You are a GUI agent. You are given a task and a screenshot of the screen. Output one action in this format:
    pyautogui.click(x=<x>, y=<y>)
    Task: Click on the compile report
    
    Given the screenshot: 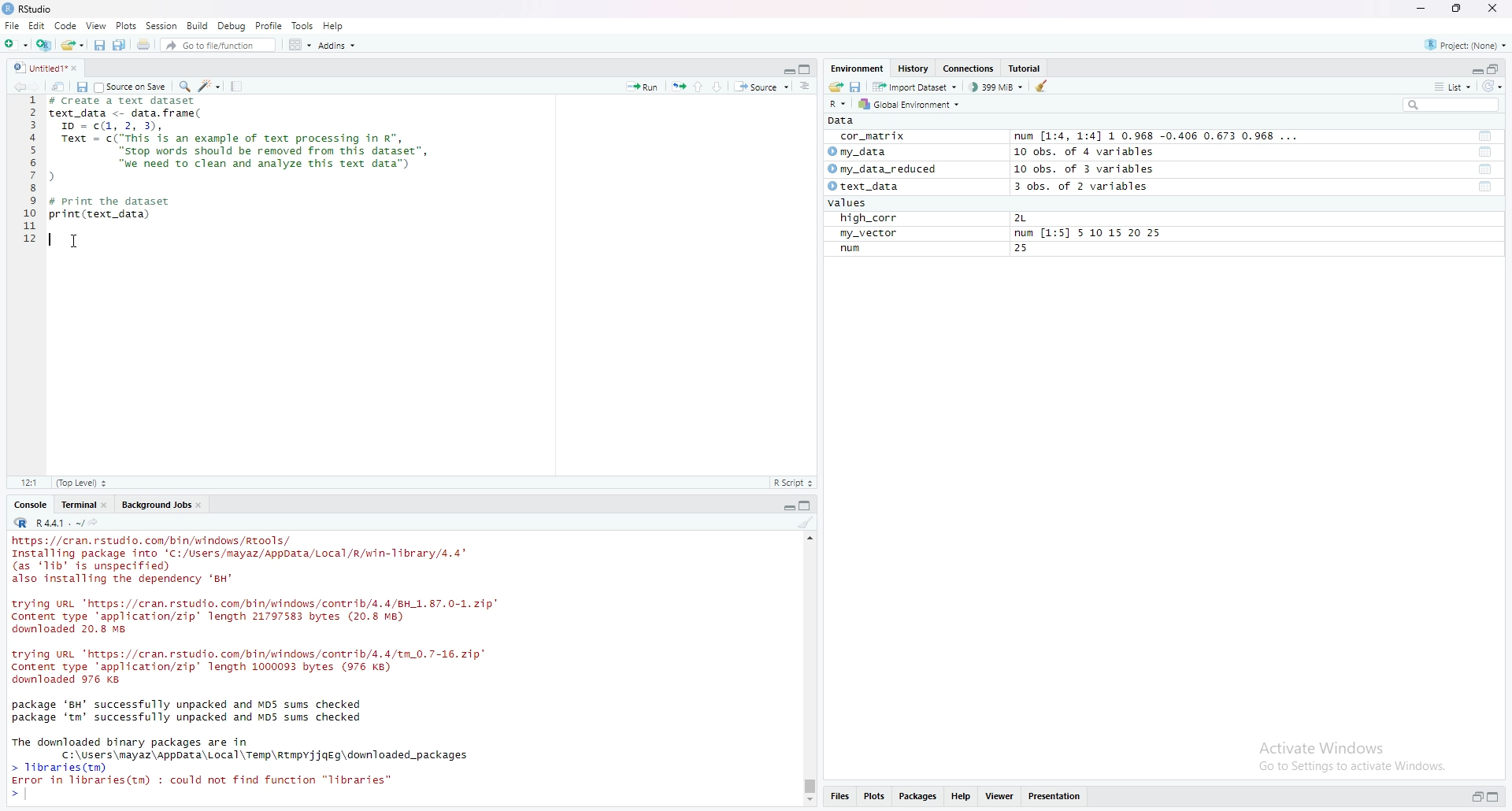 What is the action you would take?
    pyautogui.click(x=239, y=85)
    